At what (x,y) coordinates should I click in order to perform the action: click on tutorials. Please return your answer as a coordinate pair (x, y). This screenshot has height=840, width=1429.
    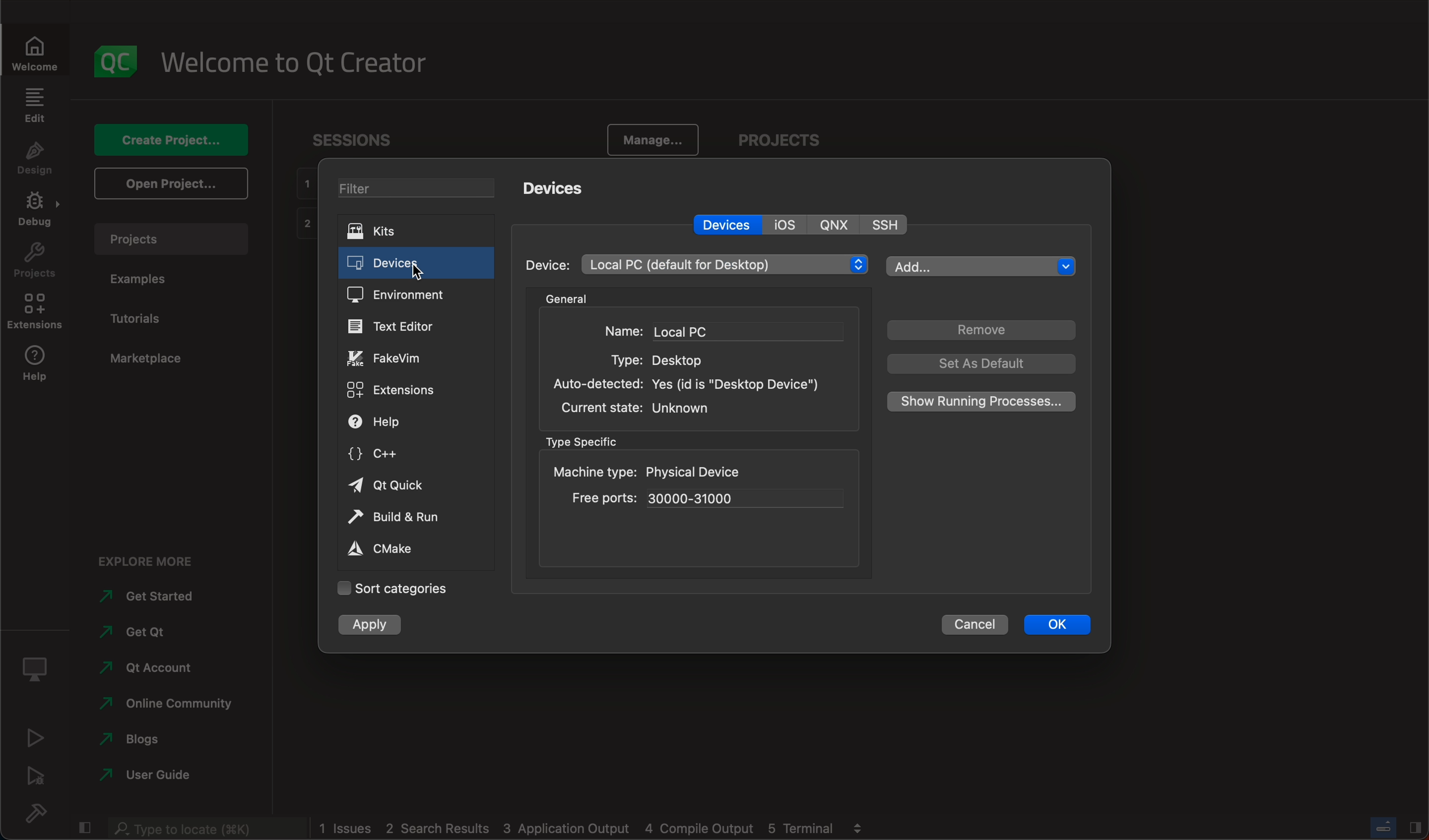
    Looking at the image, I should click on (146, 315).